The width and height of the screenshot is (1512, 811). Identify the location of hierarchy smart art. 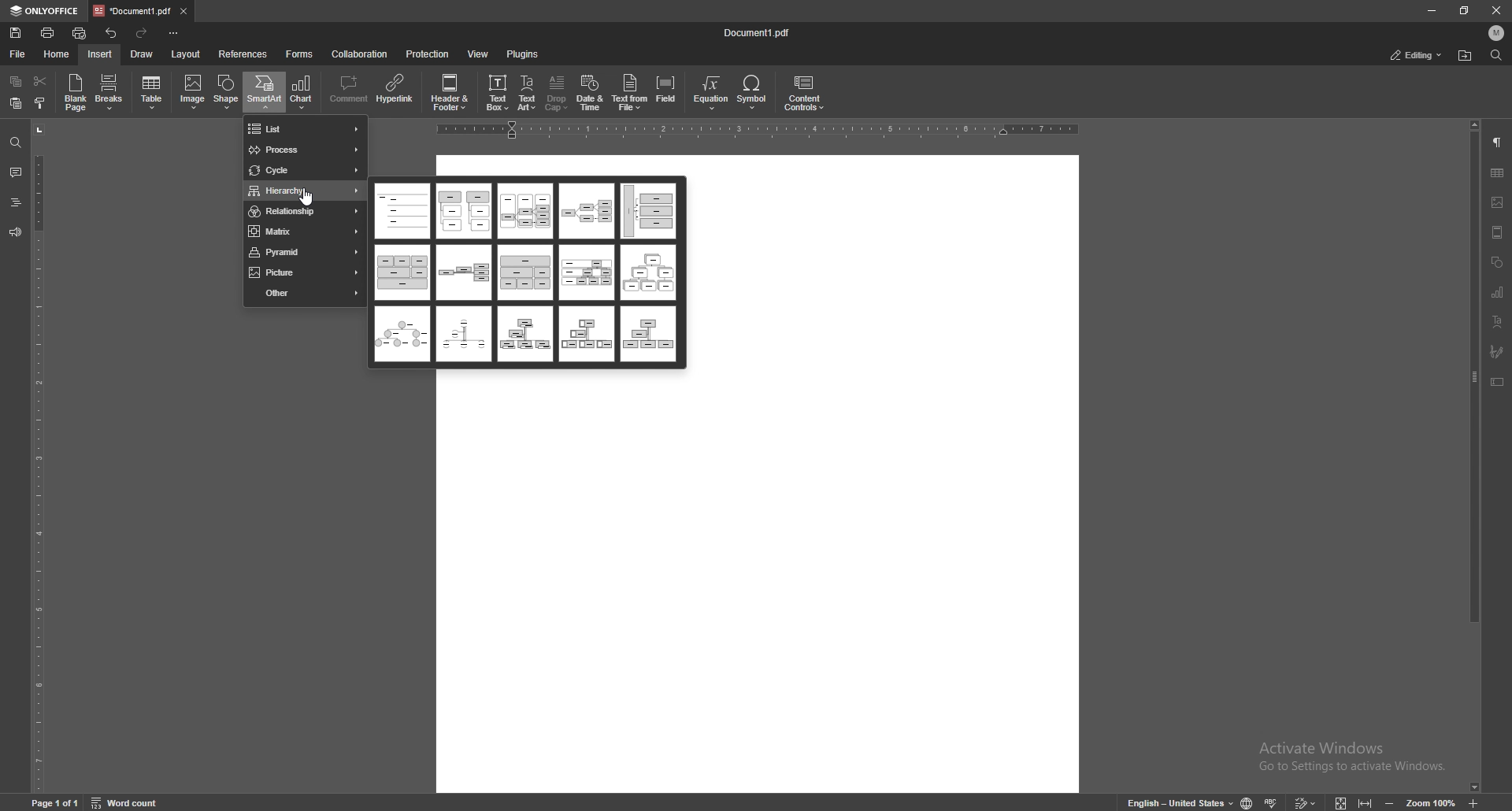
(586, 333).